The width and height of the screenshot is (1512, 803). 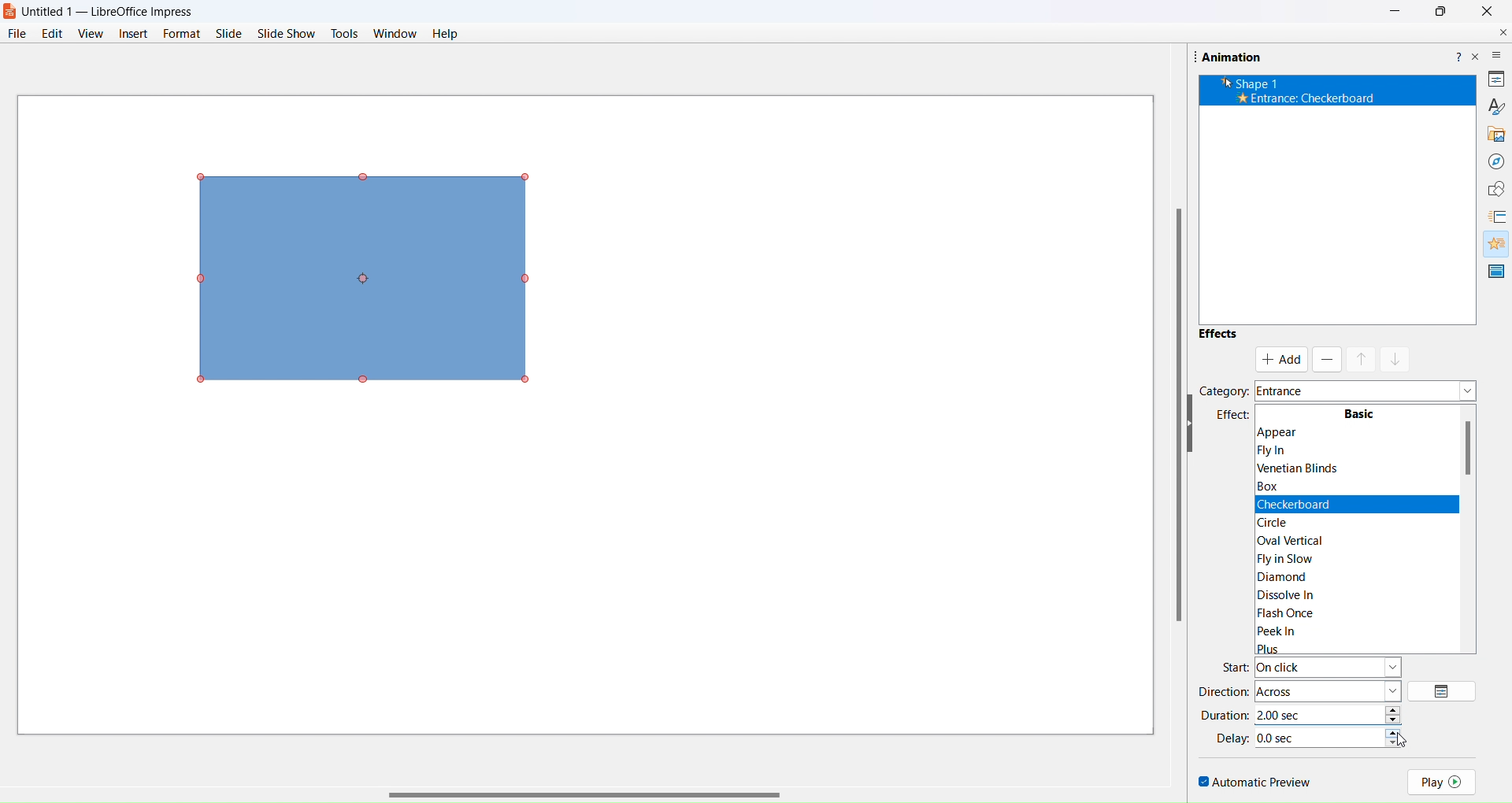 What do you see at coordinates (54, 32) in the screenshot?
I see `edit` at bounding box center [54, 32].